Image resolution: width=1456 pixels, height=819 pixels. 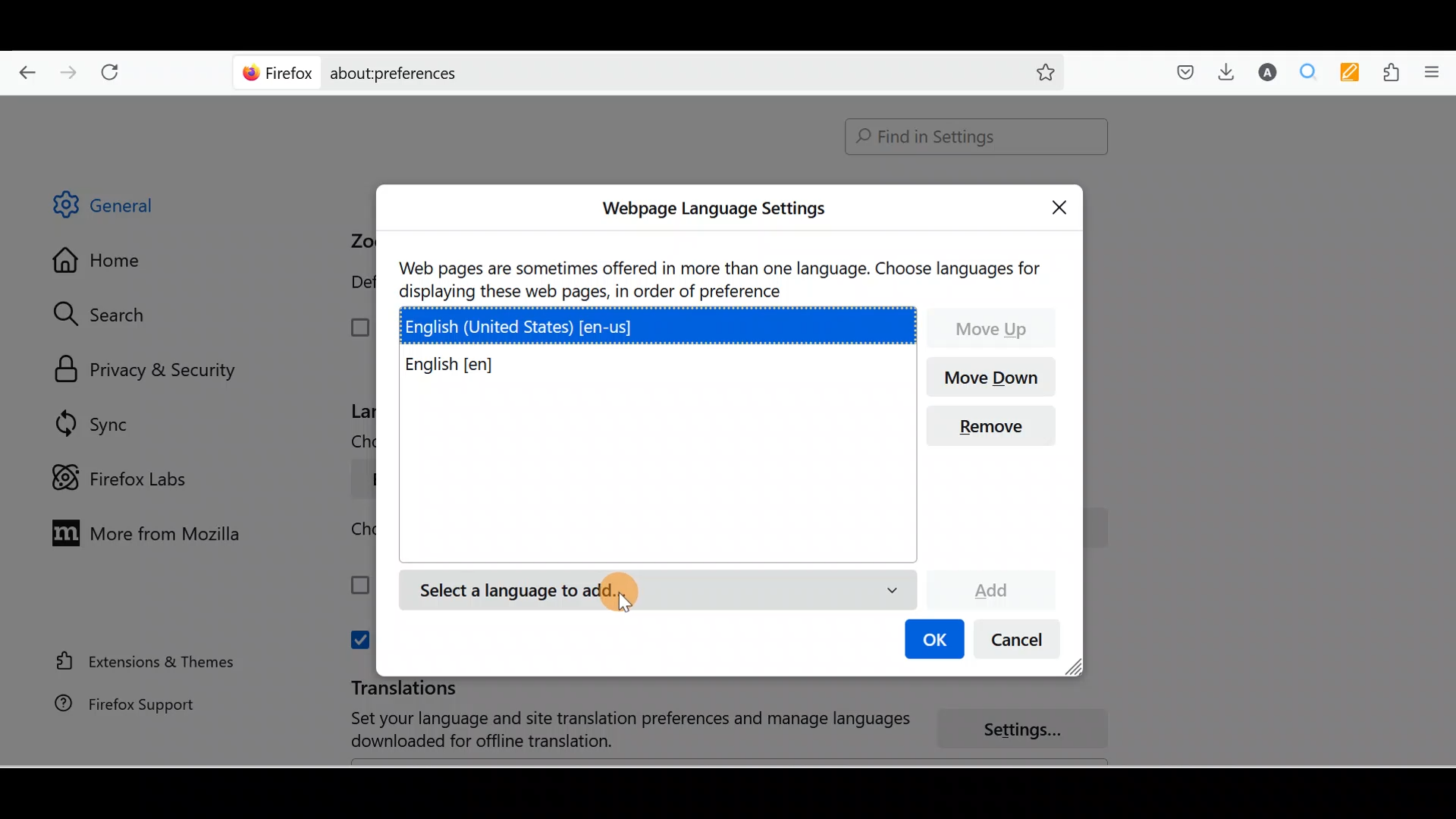 I want to click on Downloads, so click(x=1222, y=71).